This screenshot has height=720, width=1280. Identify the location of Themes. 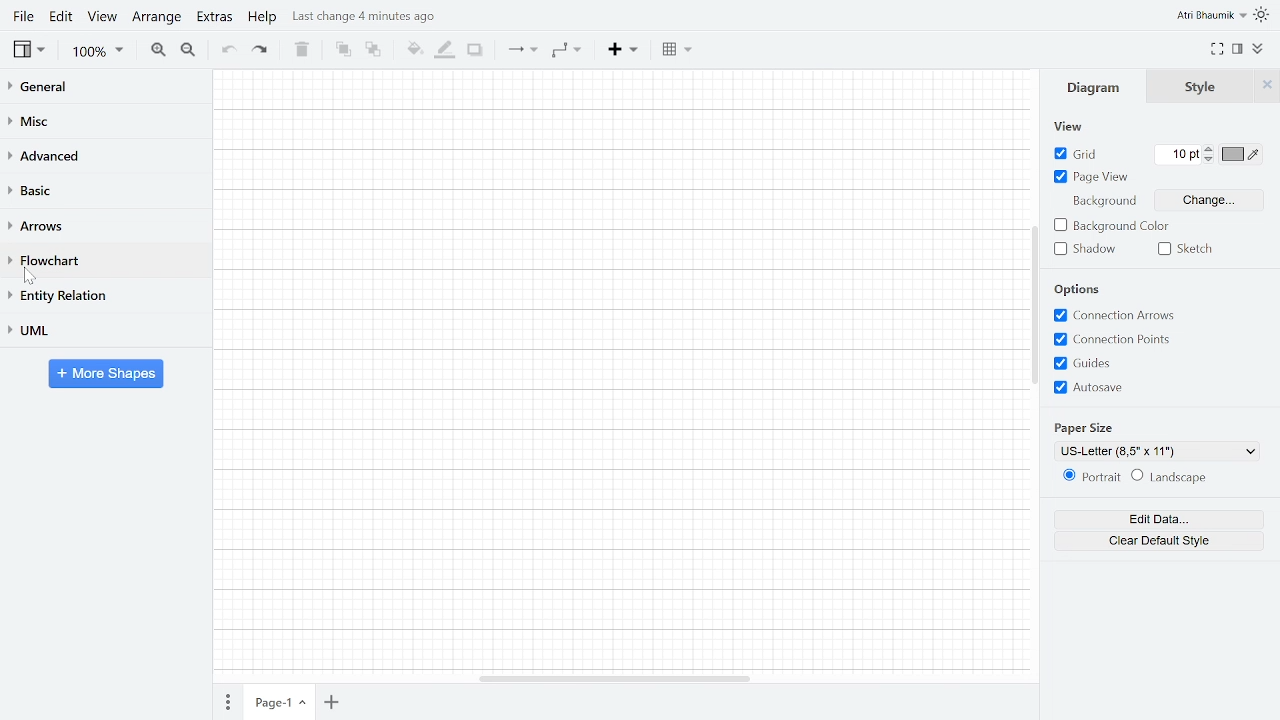
(1264, 15).